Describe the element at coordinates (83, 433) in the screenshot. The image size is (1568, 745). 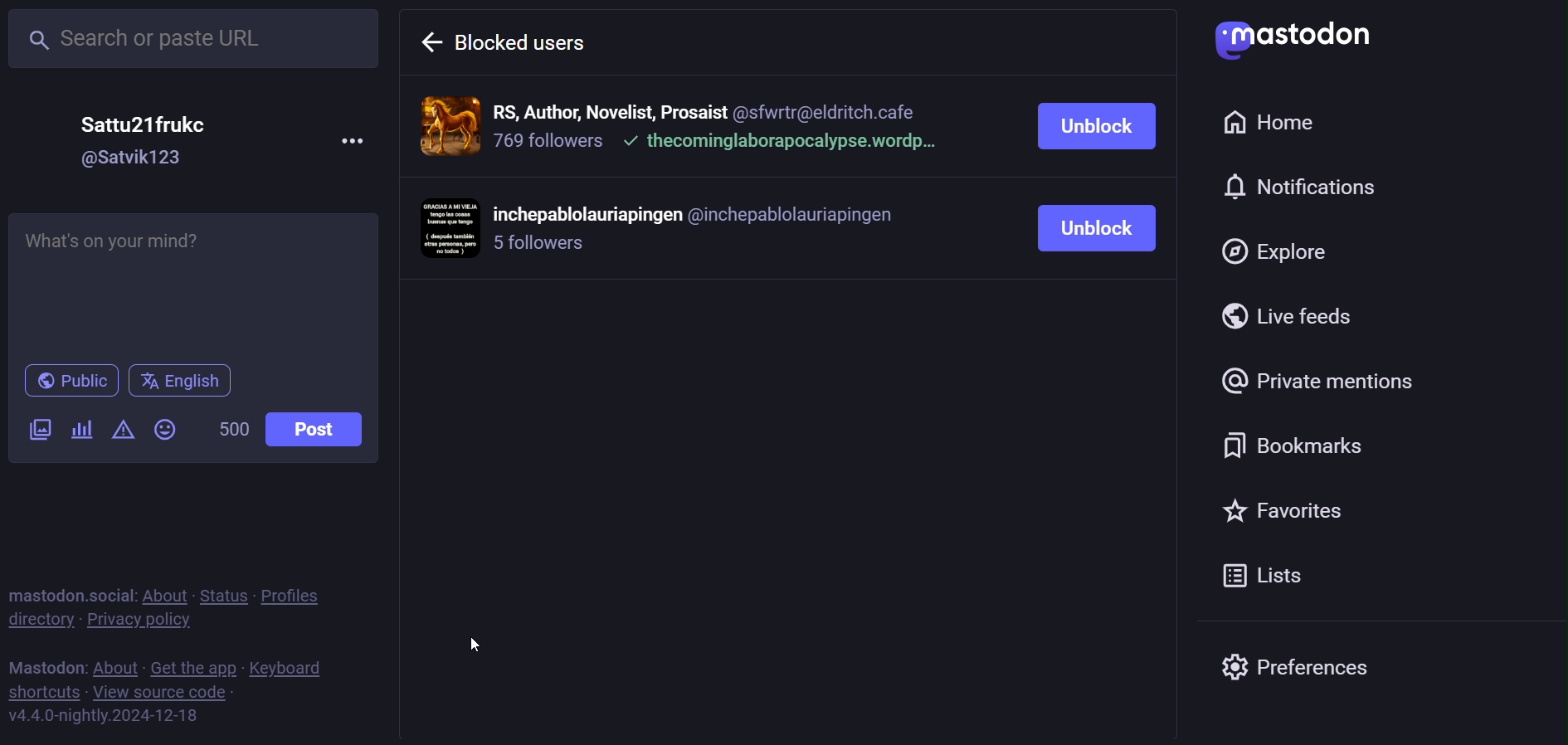
I see `add poll` at that location.